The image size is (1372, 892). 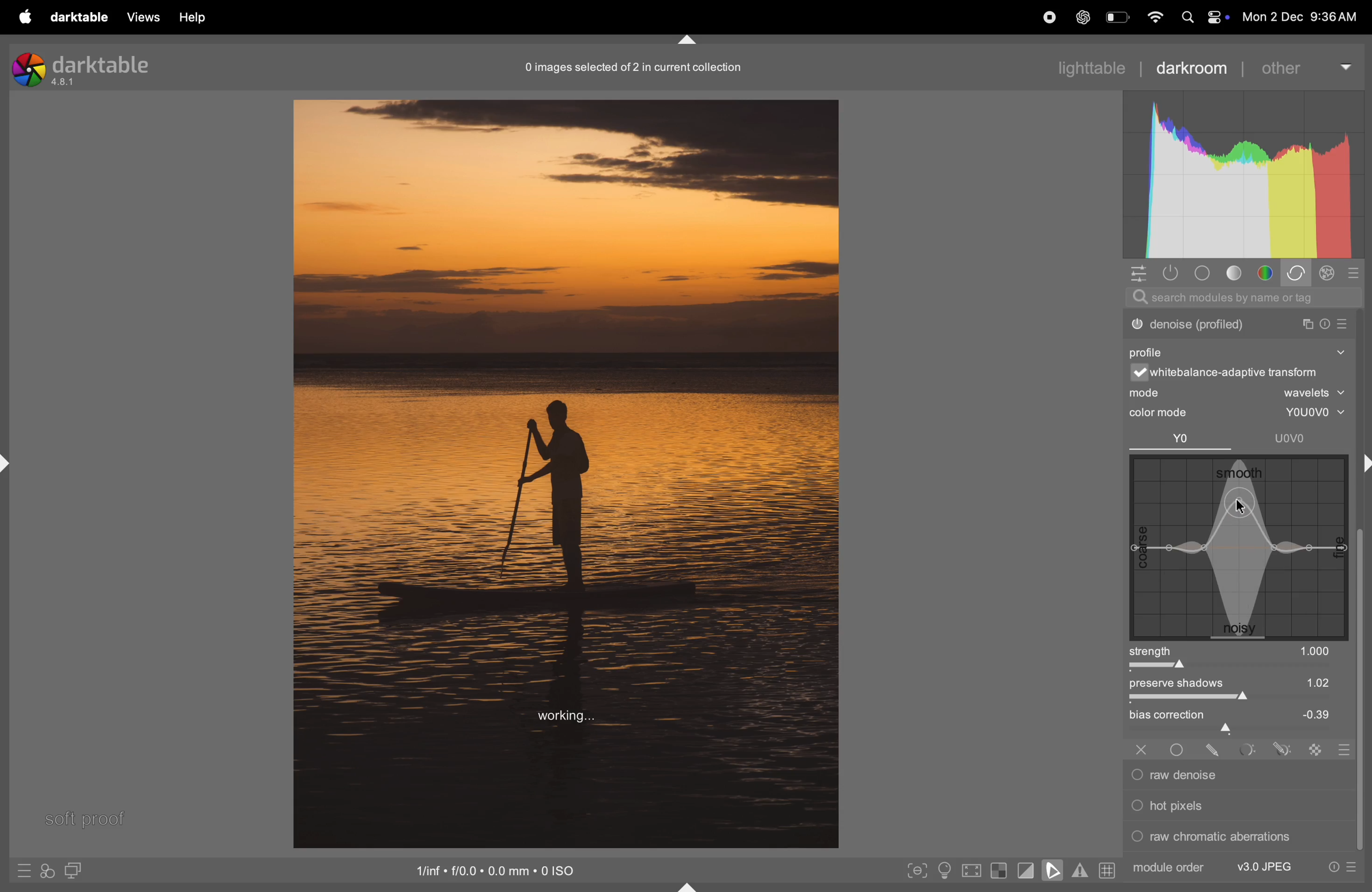 I want to click on other, so click(x=1309, y=65).